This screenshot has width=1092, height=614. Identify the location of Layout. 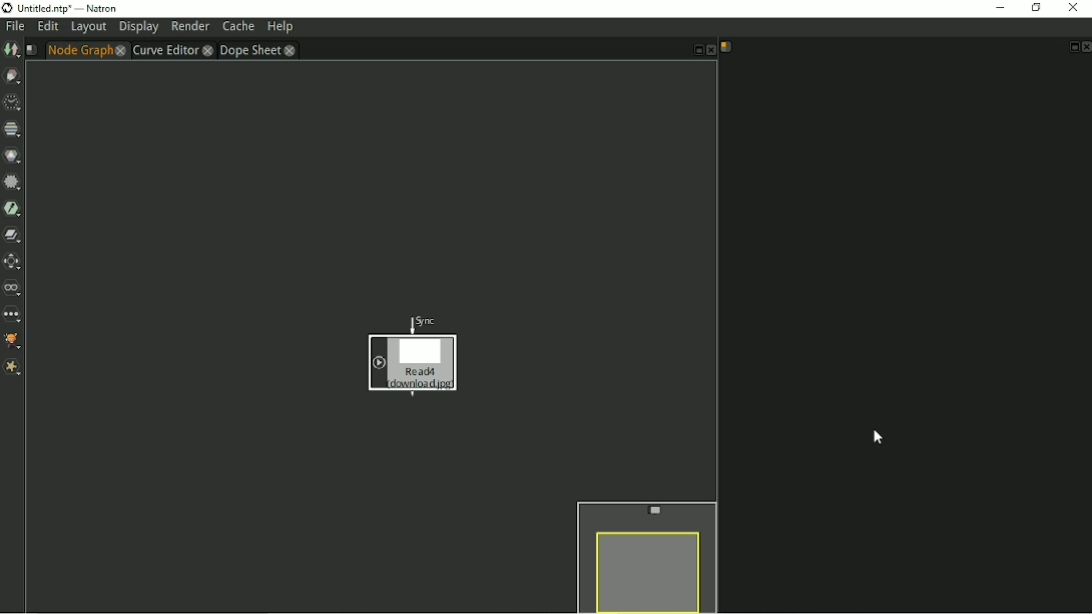
(88, 28).